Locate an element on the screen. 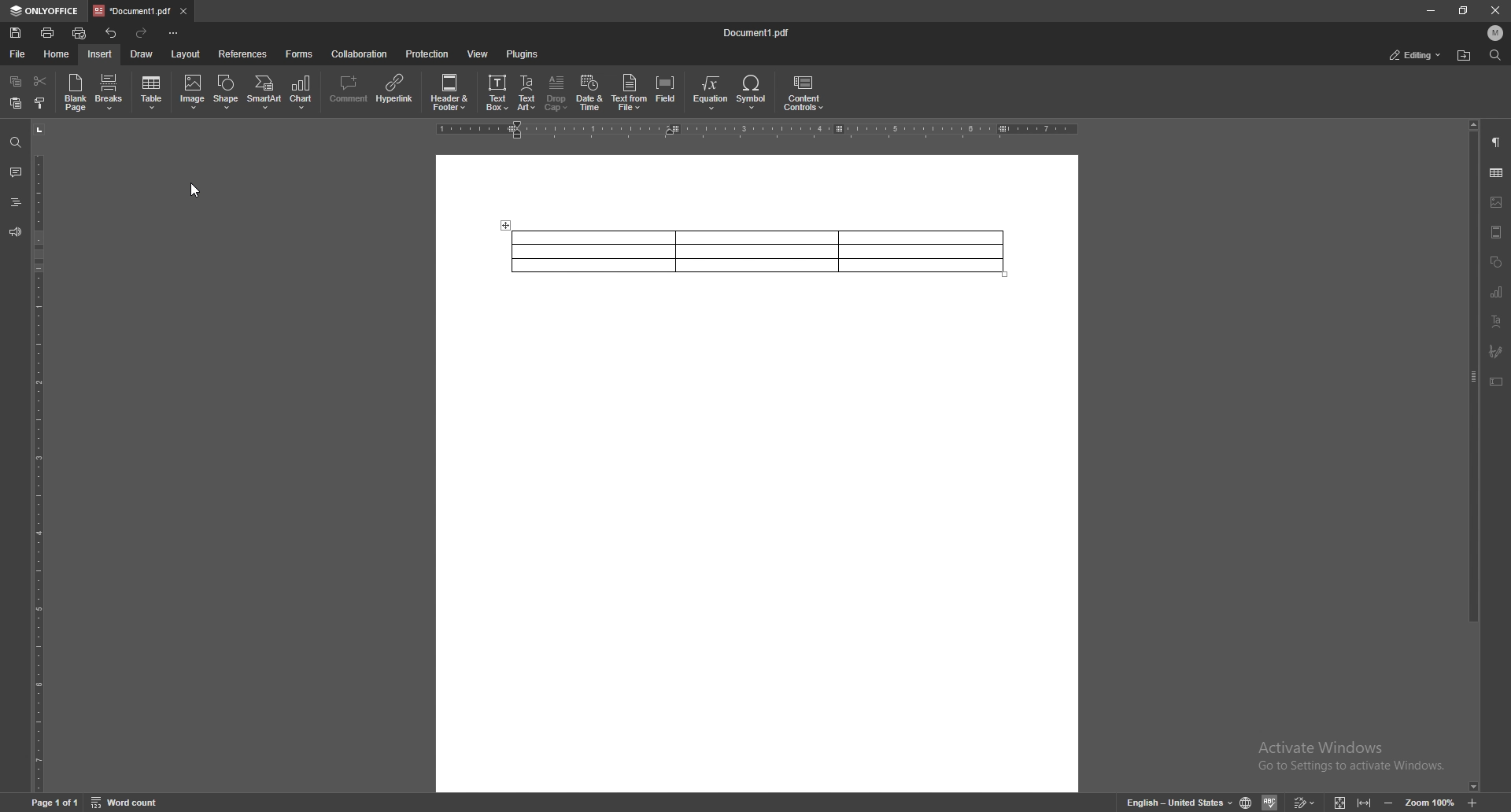  find is located at coordinates (15, 141).